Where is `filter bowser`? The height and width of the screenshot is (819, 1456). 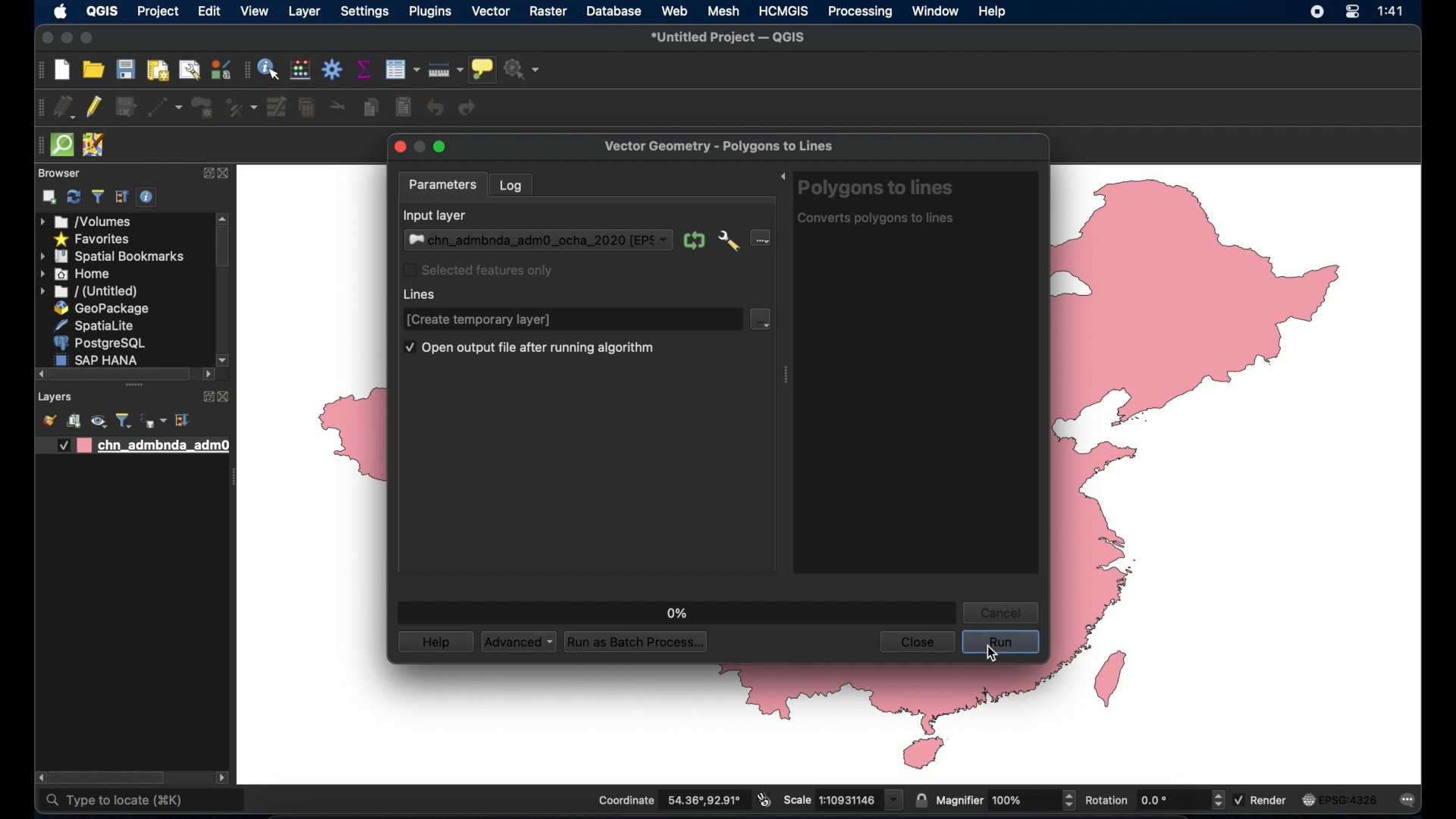 filter bowser is located at coordinates (96, 196).